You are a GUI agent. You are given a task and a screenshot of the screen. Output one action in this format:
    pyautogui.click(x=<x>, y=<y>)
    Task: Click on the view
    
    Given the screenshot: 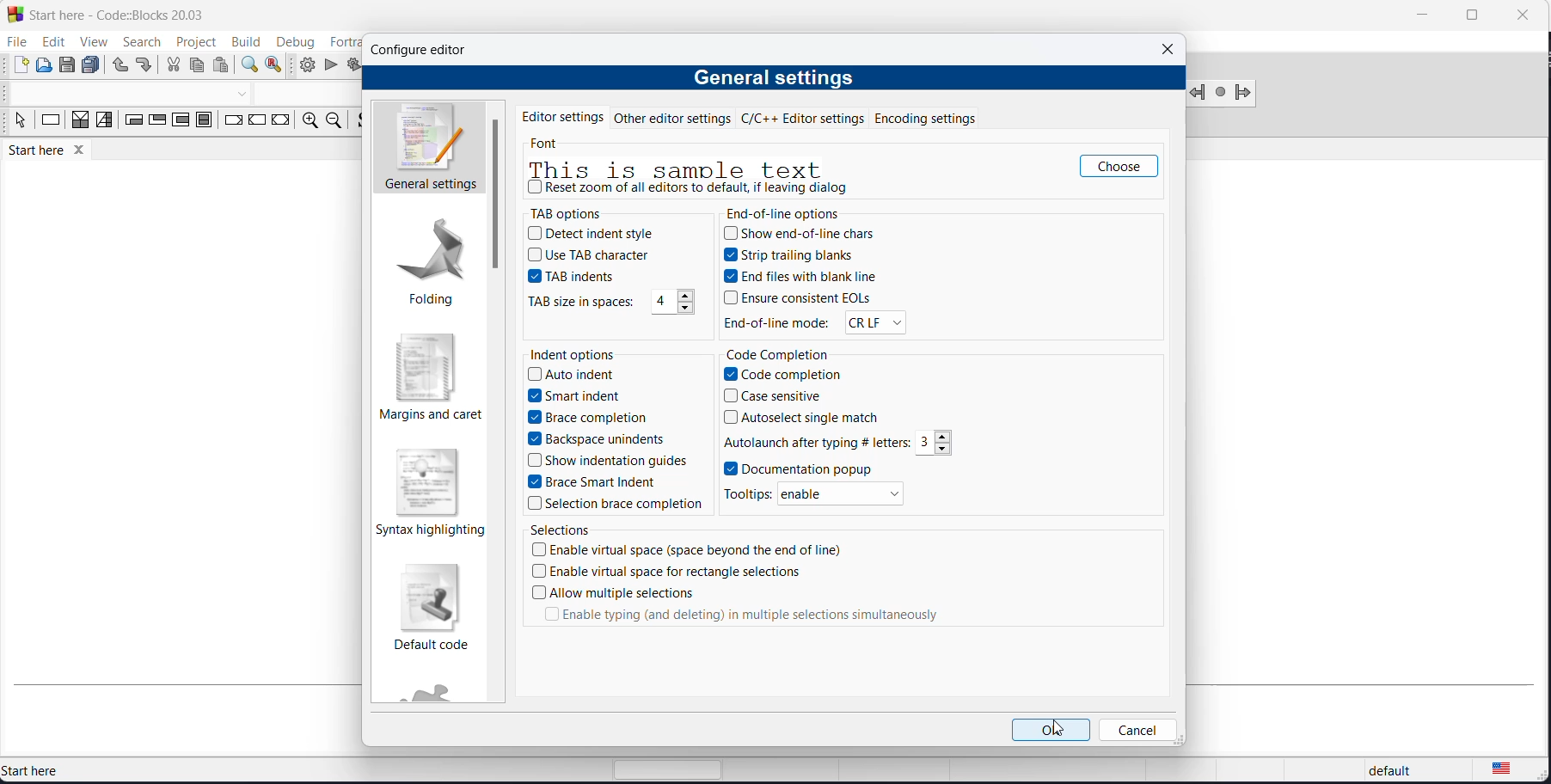 What is the action you would take?
    pyautogui.click(x=89, y=40)
    